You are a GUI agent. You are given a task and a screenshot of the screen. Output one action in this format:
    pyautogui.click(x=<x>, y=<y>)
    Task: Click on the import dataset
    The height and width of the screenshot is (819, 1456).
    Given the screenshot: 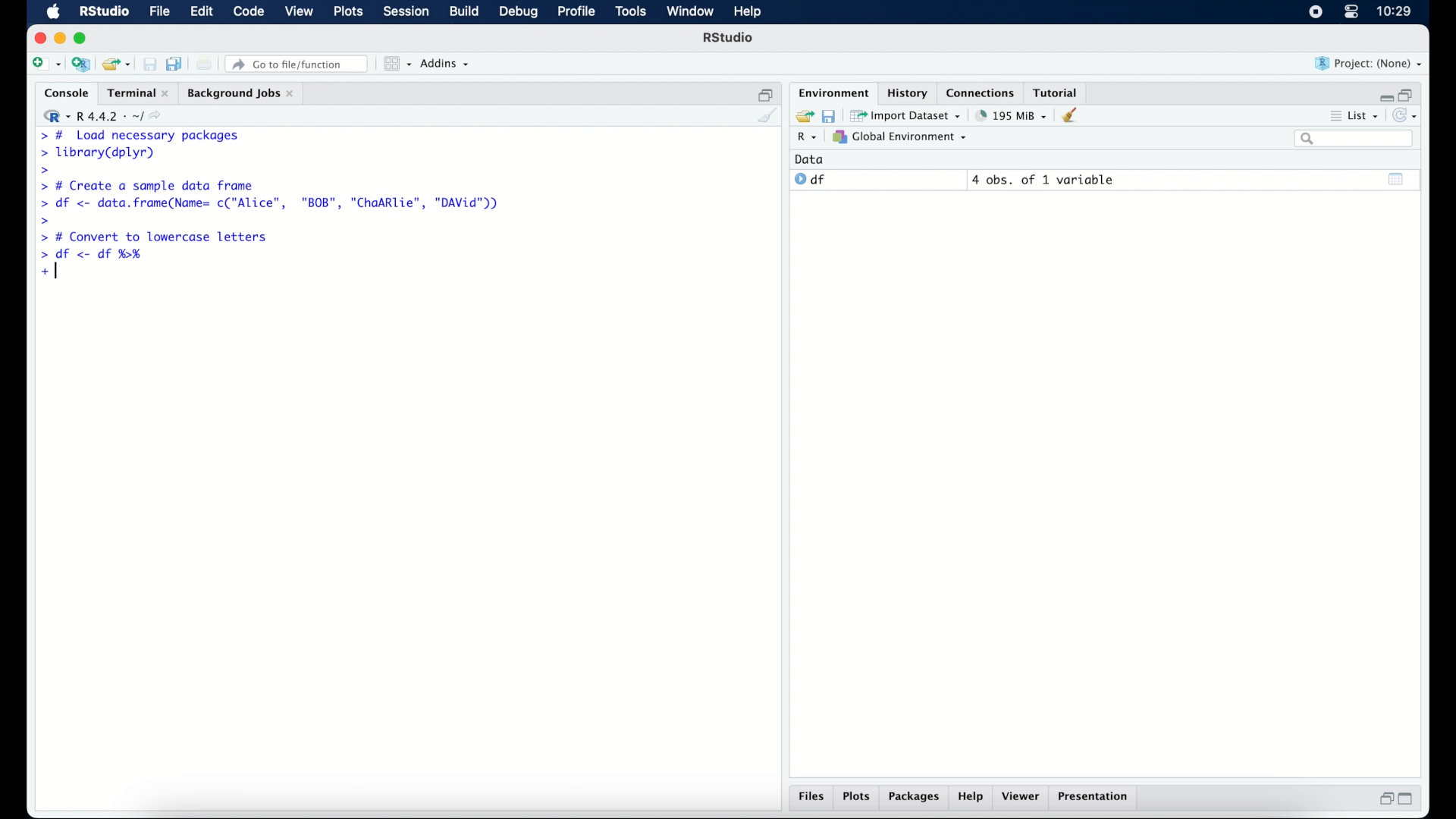 What is the action you would take?
    pyautogui.click(x=907, y=115)
    